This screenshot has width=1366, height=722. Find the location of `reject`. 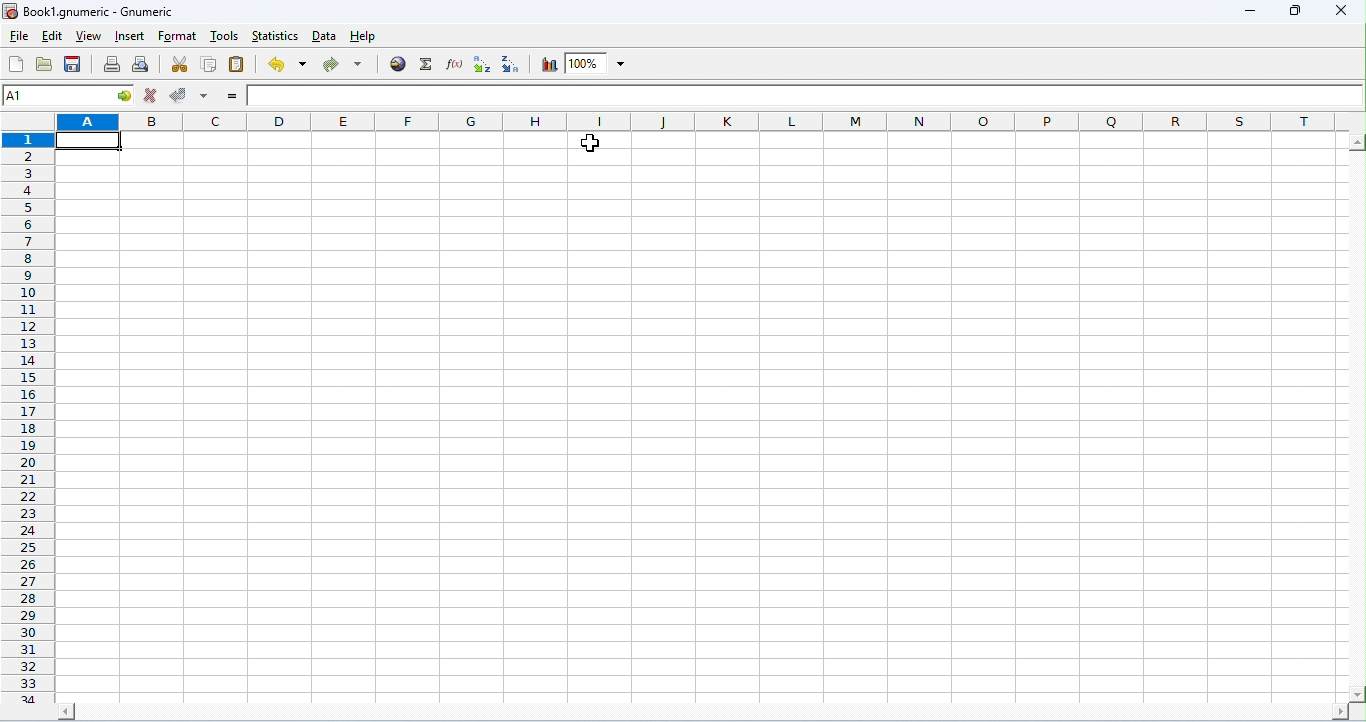

reject is located at coordinates (150, 95).